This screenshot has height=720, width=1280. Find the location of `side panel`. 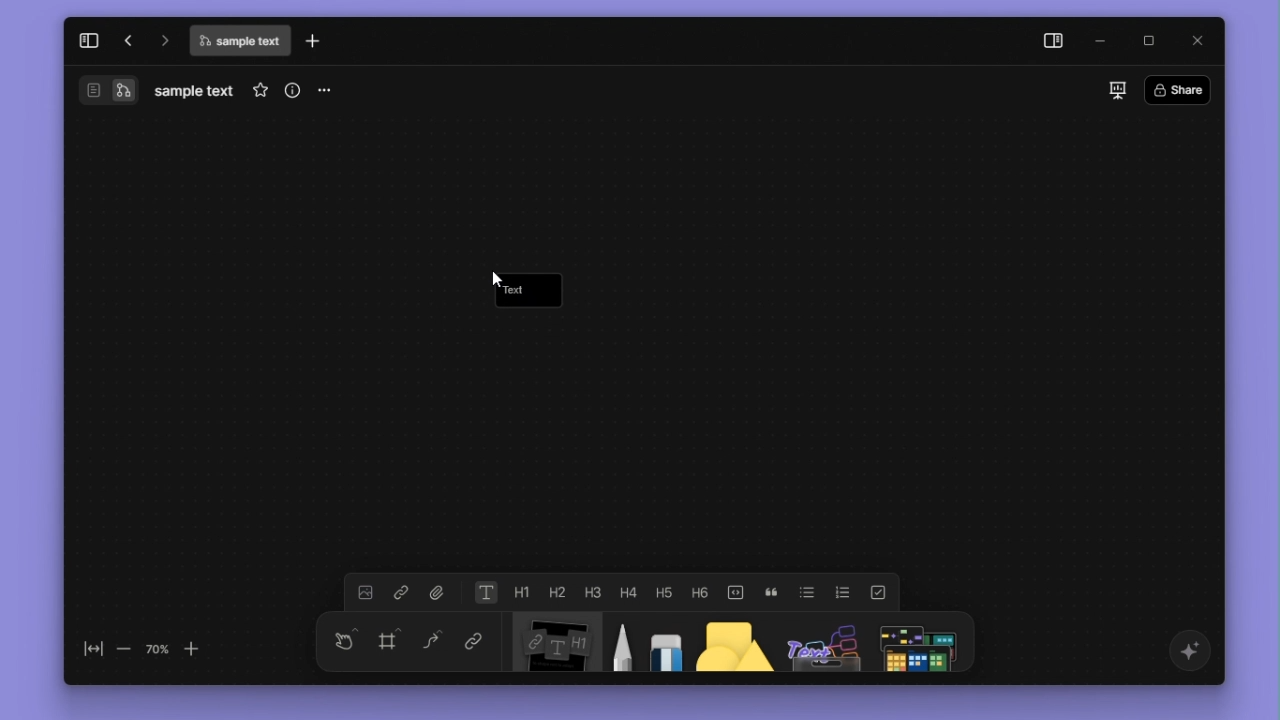

side panel is located at coordinates (1050, 41).